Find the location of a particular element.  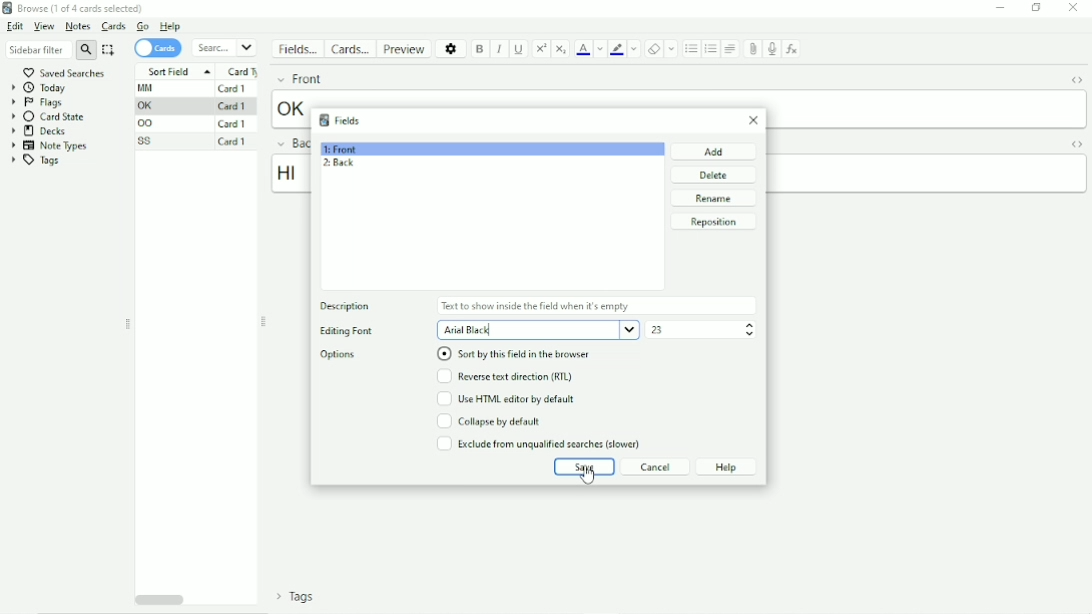

Delete is located at coordinates (715, 174).